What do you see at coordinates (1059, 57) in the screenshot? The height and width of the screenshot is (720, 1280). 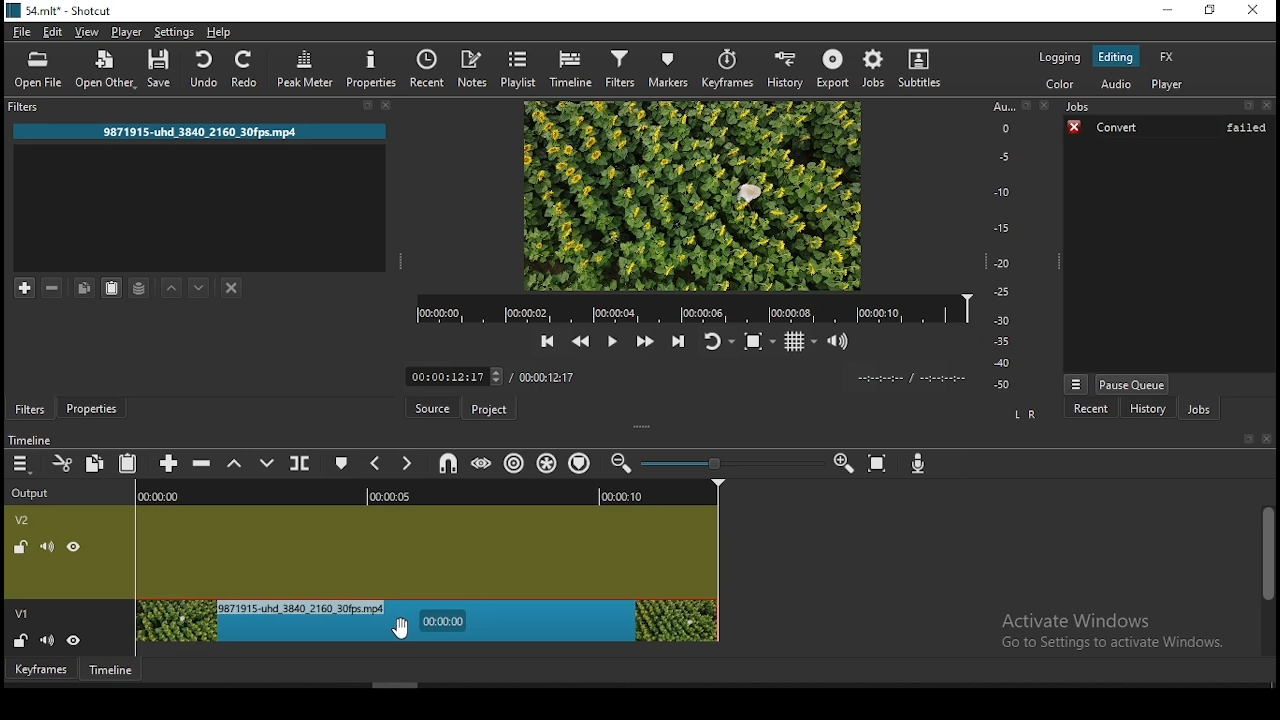 I see `logging` at bounding box center [1059, 57].